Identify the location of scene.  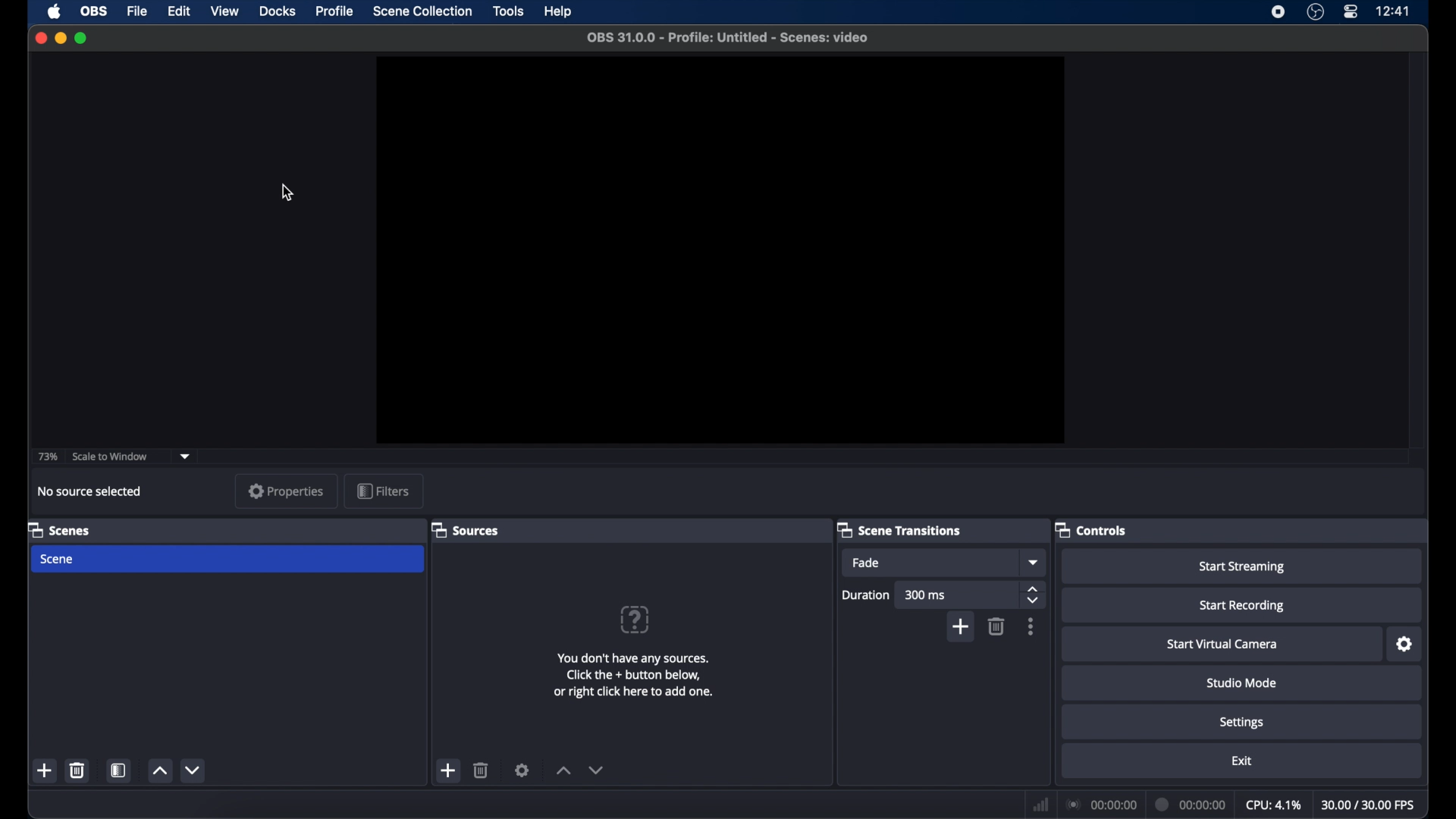
(58, 559).